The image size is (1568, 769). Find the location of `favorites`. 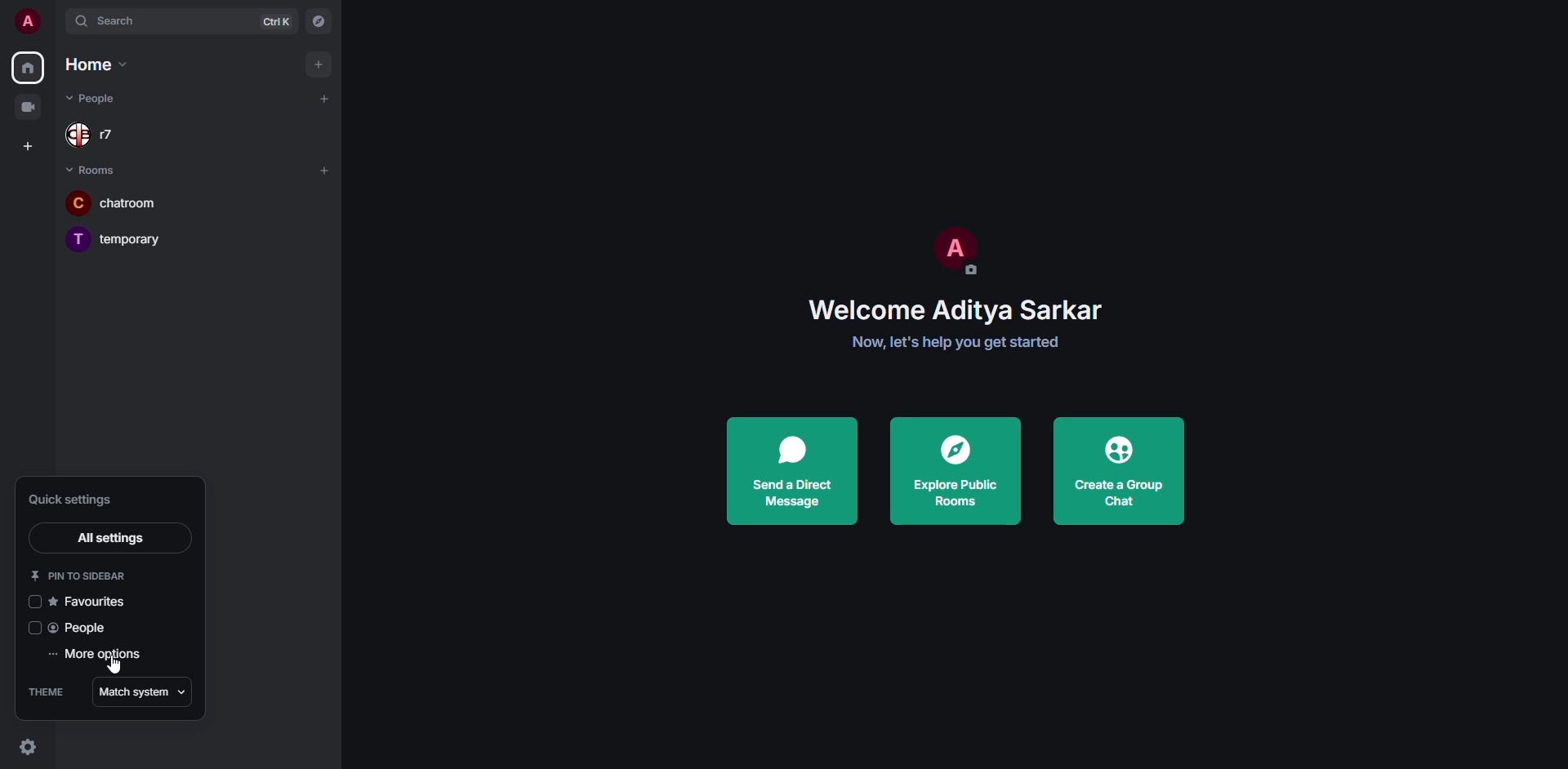

favorites is located at coordinates (93, 602).